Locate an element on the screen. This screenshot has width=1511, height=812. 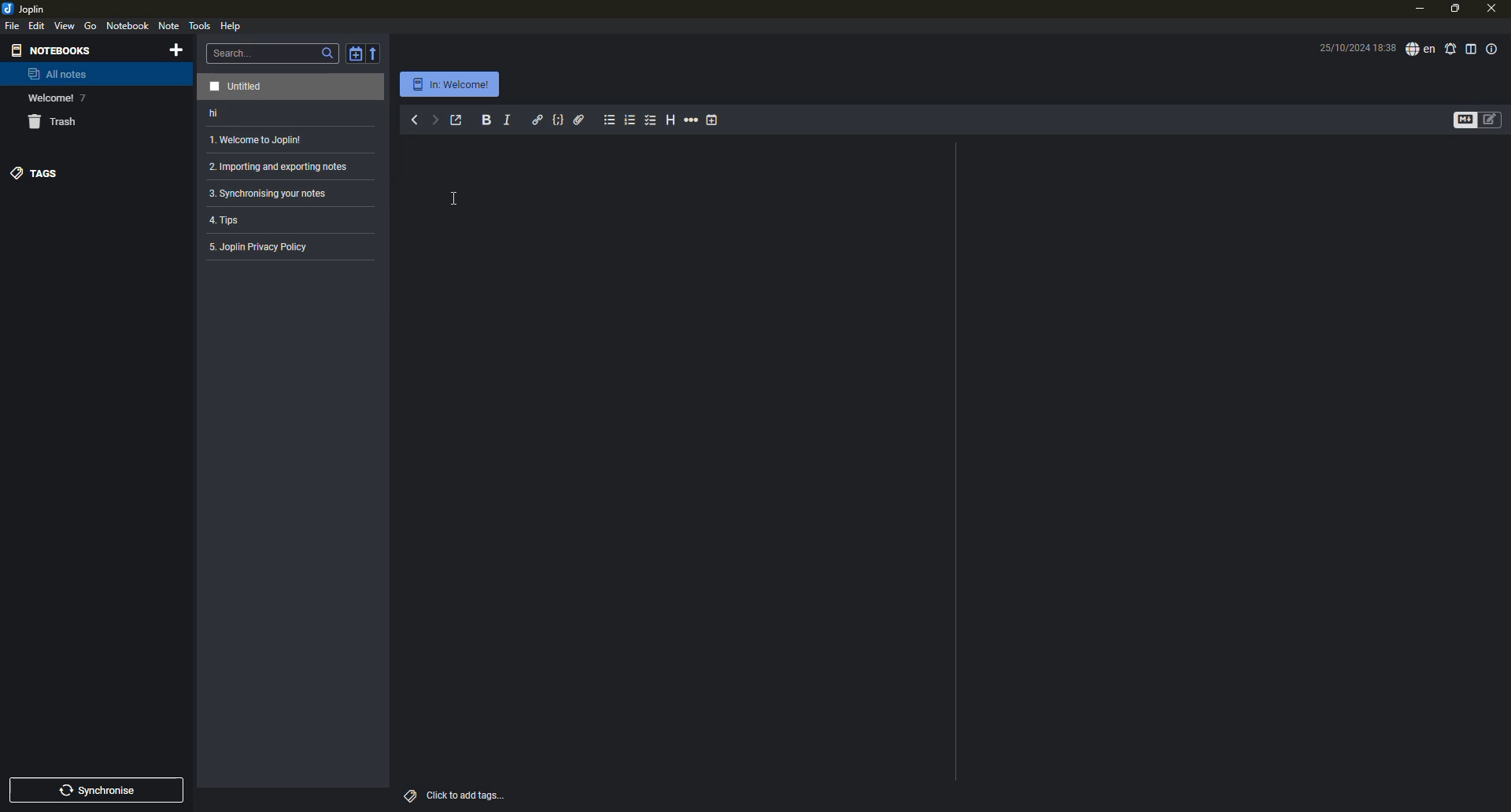
cursor is located at coordinates (460, 198).